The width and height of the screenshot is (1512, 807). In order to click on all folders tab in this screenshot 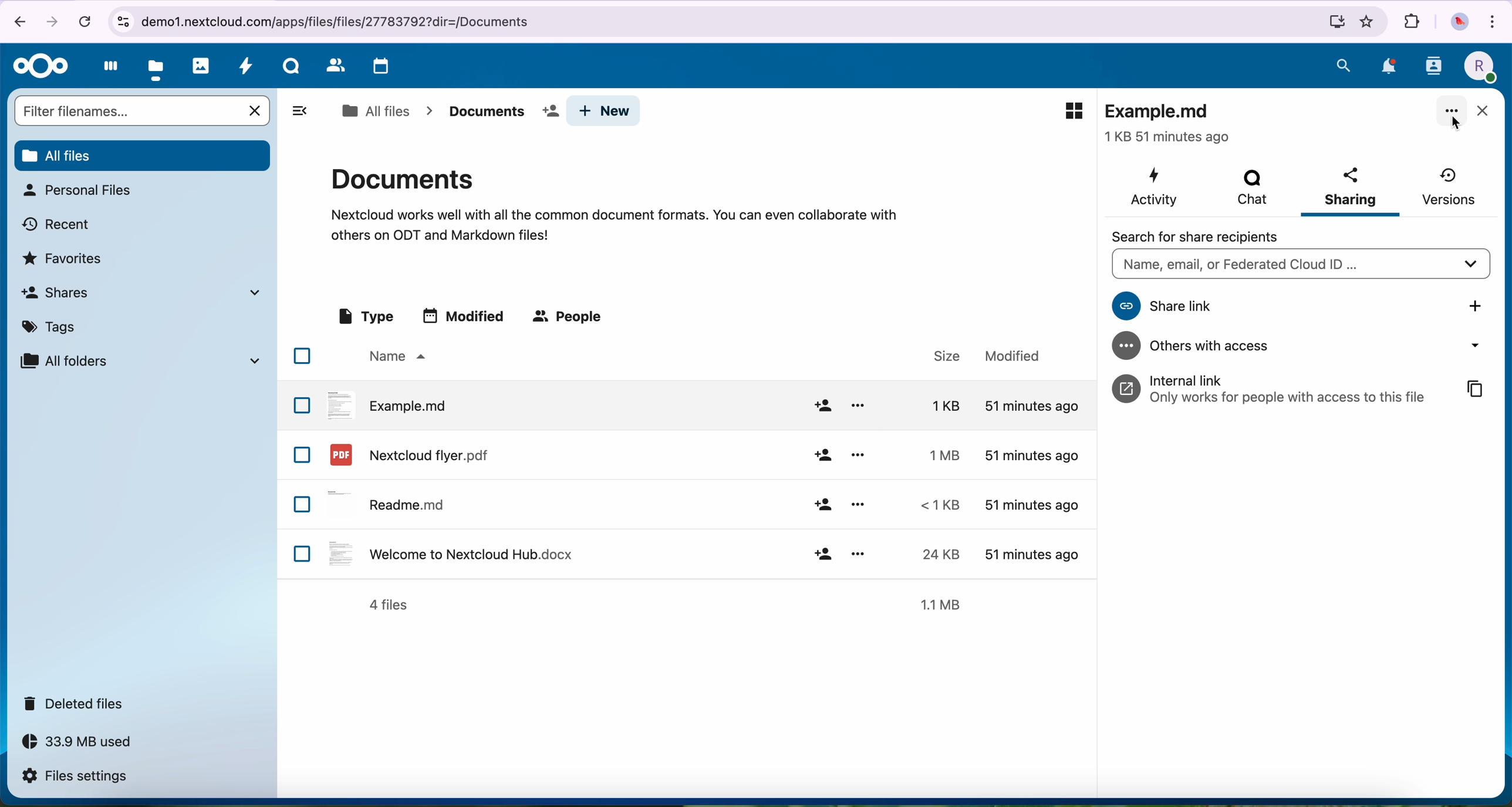, I will do `click(139, 360)`.